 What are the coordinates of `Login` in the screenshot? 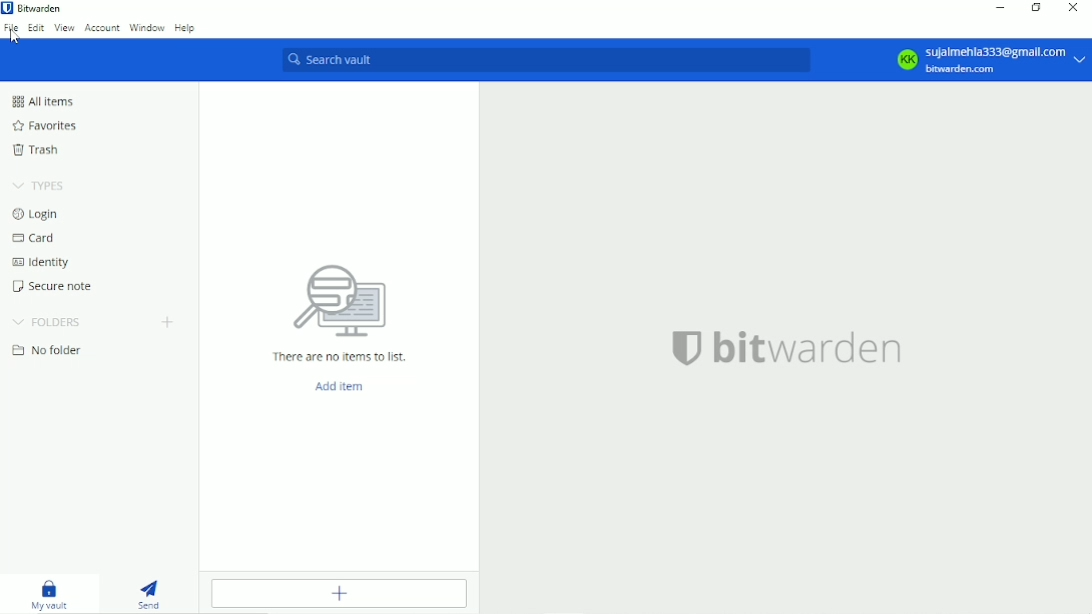 It's located at (35, 214).